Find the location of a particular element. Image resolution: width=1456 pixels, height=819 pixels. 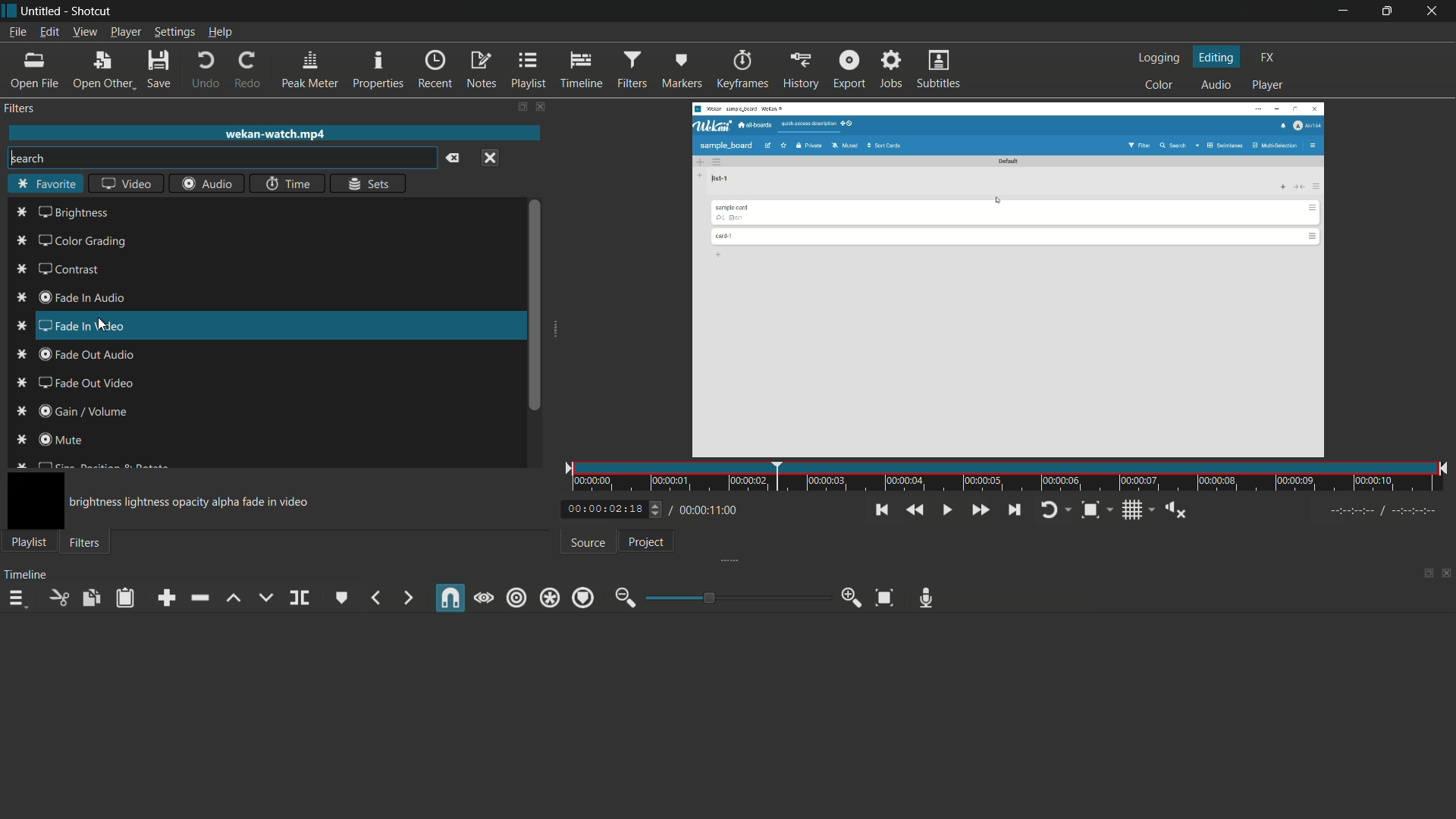

notes is located at coordinates (480, 71).